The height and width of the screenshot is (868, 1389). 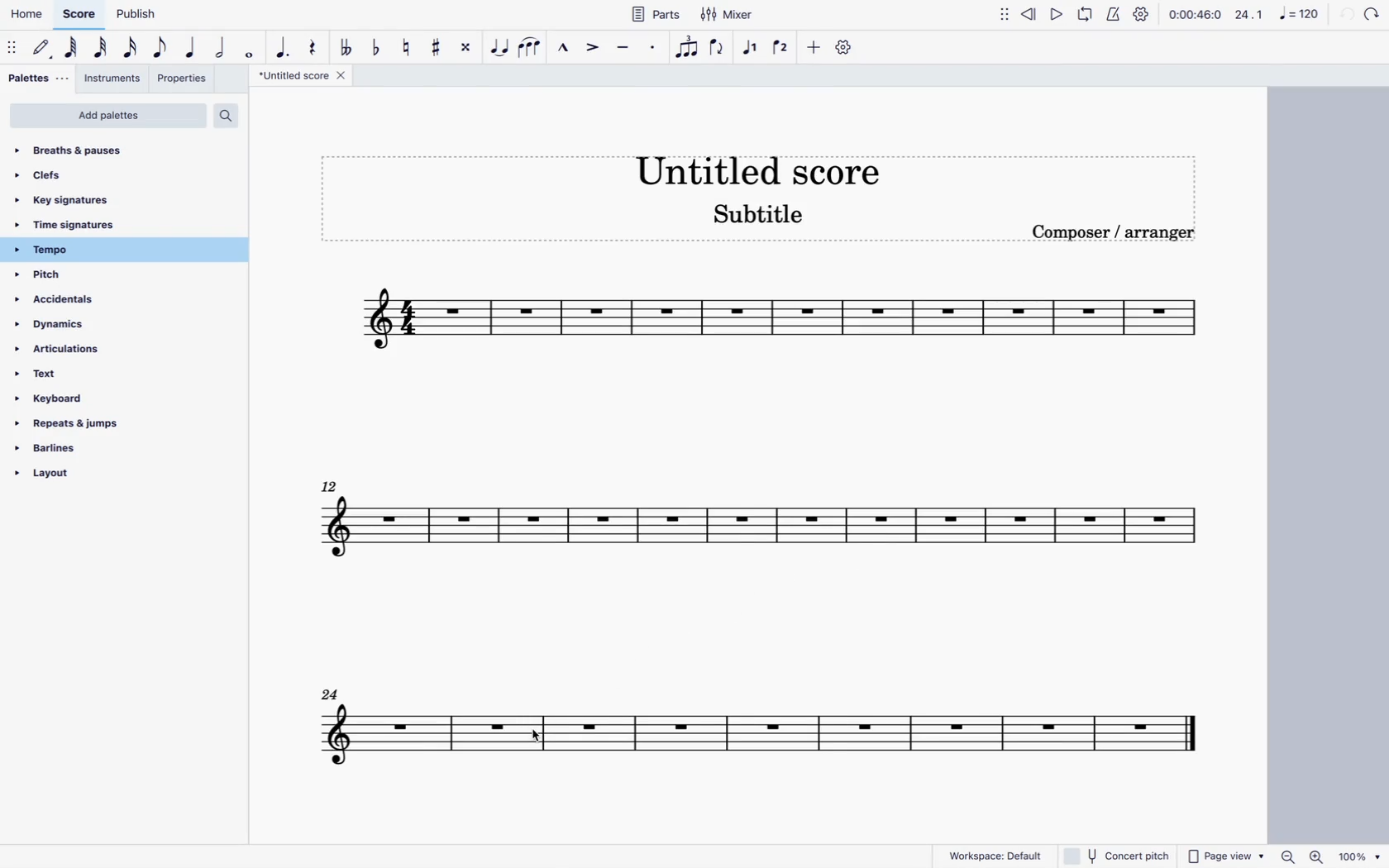 I want to click on rest, so click(x=314, y=46).